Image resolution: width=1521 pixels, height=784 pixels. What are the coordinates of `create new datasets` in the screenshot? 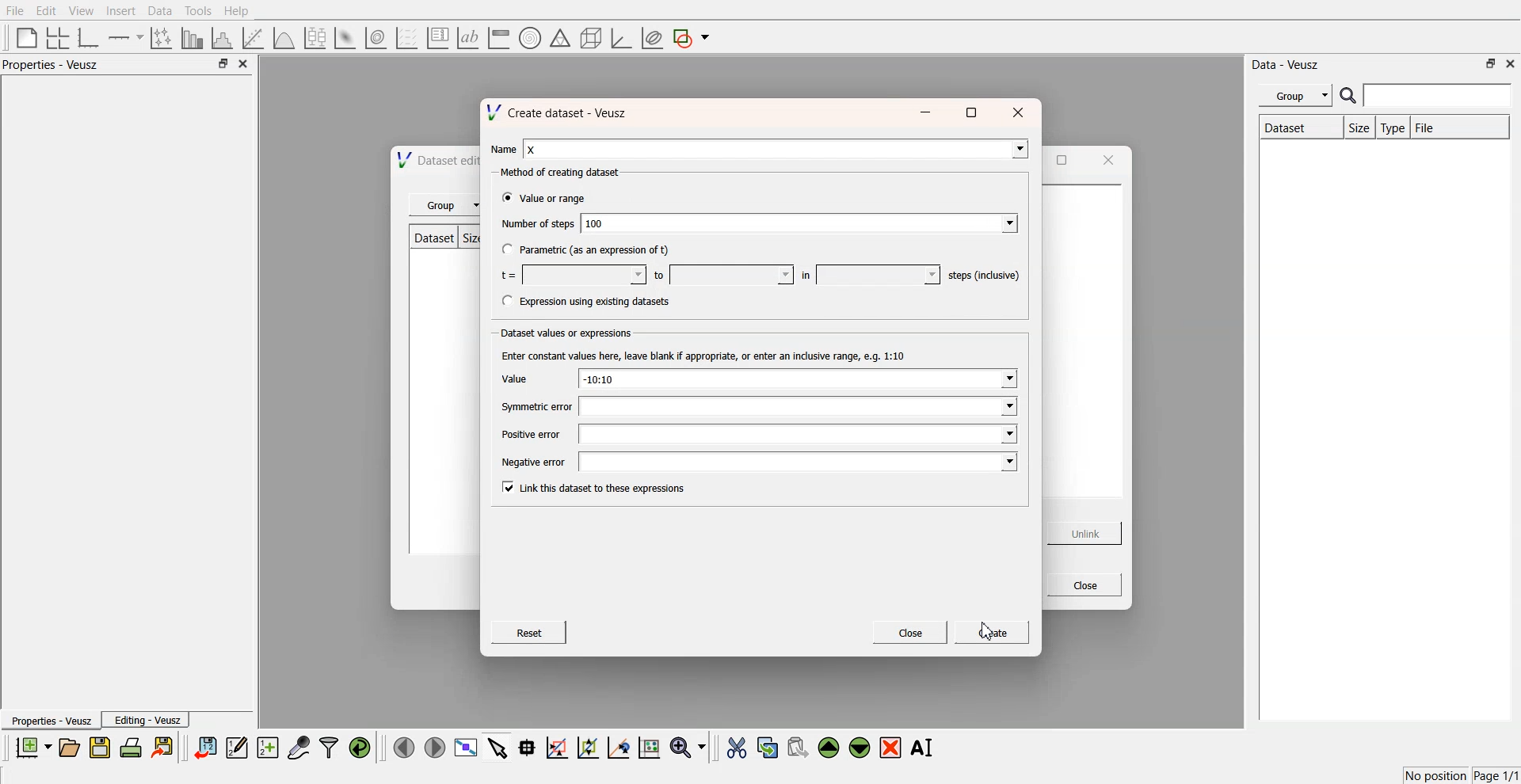 It's located at (268, 748).